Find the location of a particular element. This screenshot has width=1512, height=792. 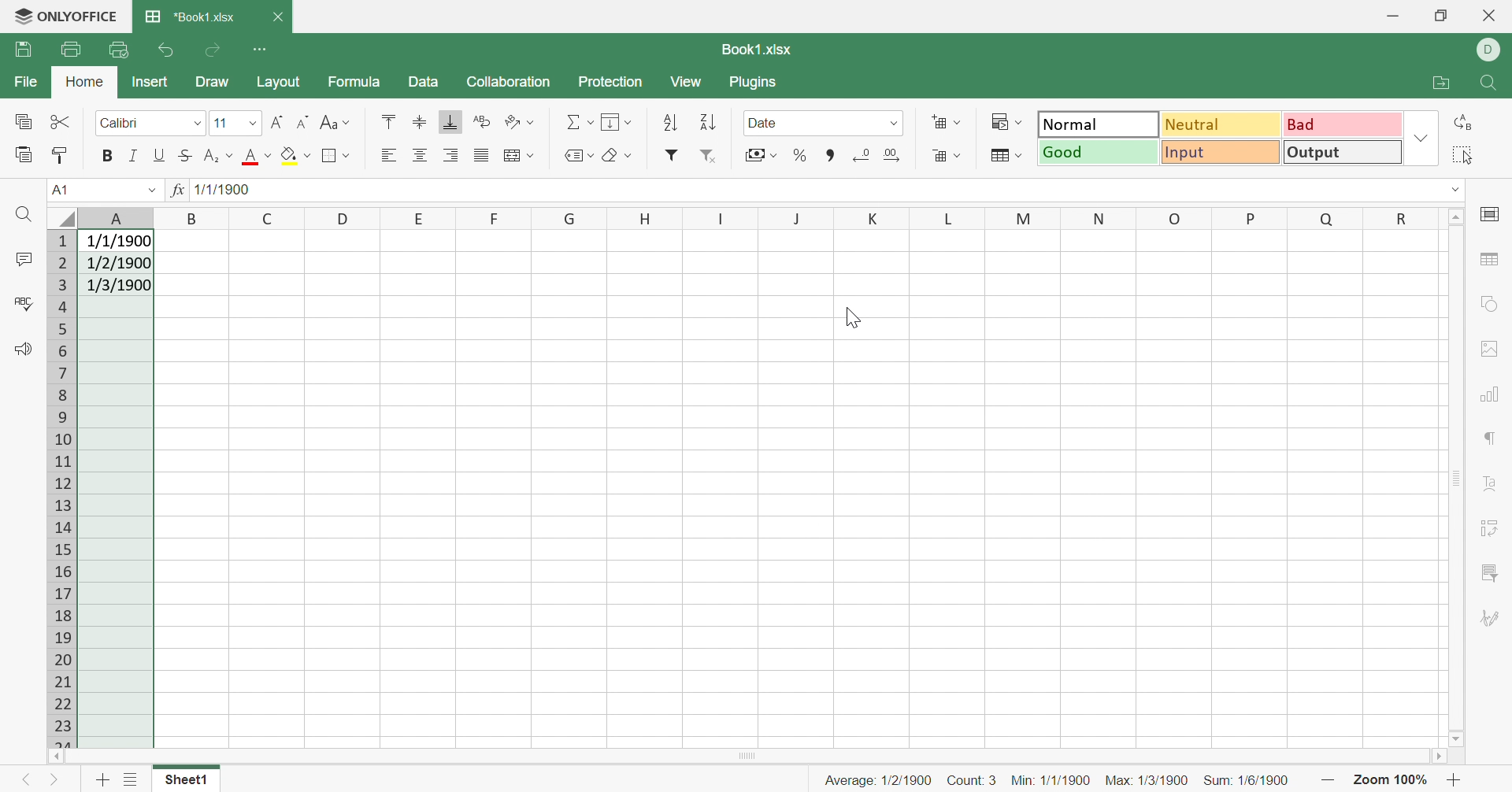

Slicer settings is located at coordinates (1493, 572).